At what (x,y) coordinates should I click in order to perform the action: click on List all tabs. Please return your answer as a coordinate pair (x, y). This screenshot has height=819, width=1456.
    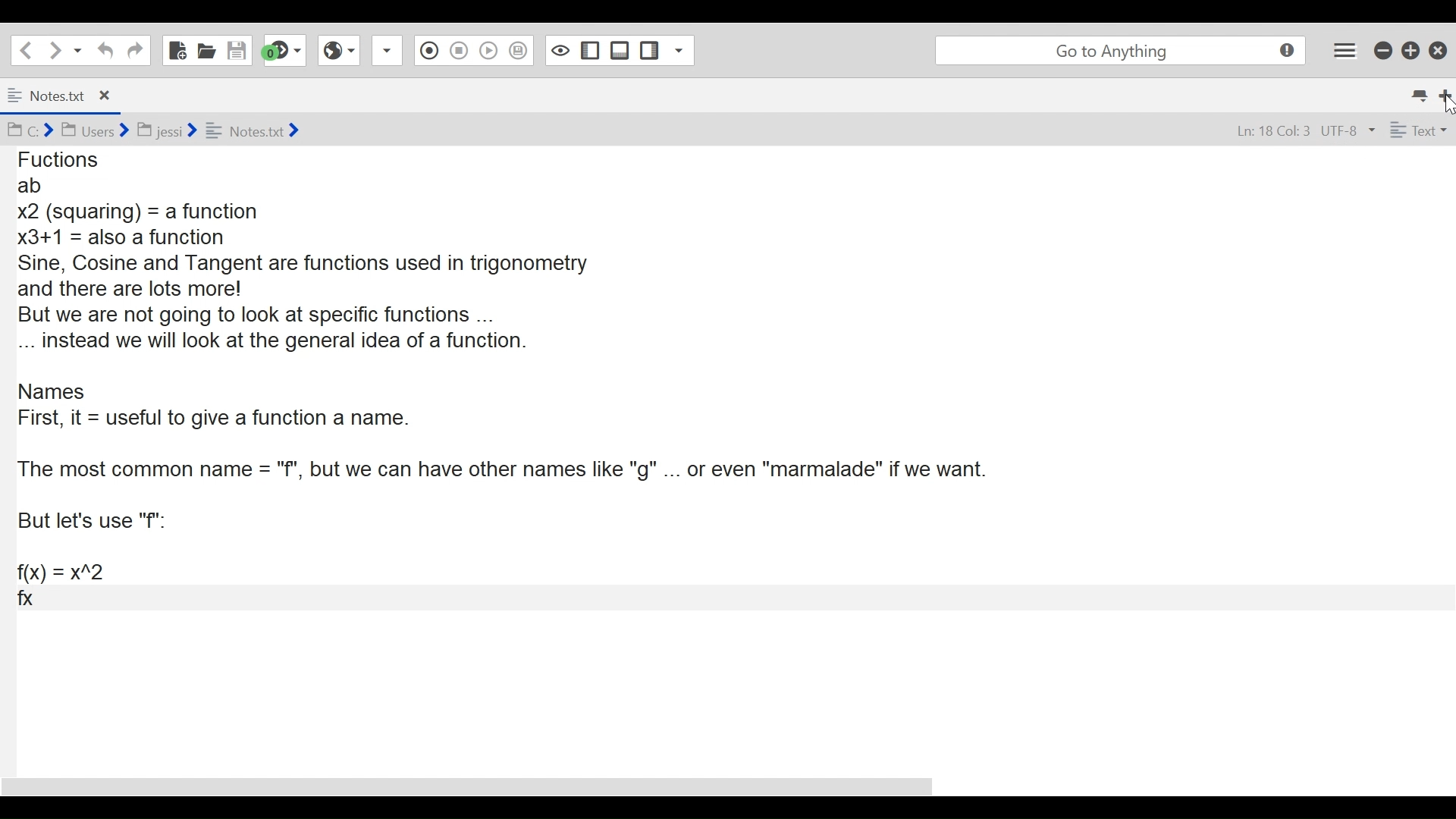
    Looking at the image, I should click on (1418, 93).